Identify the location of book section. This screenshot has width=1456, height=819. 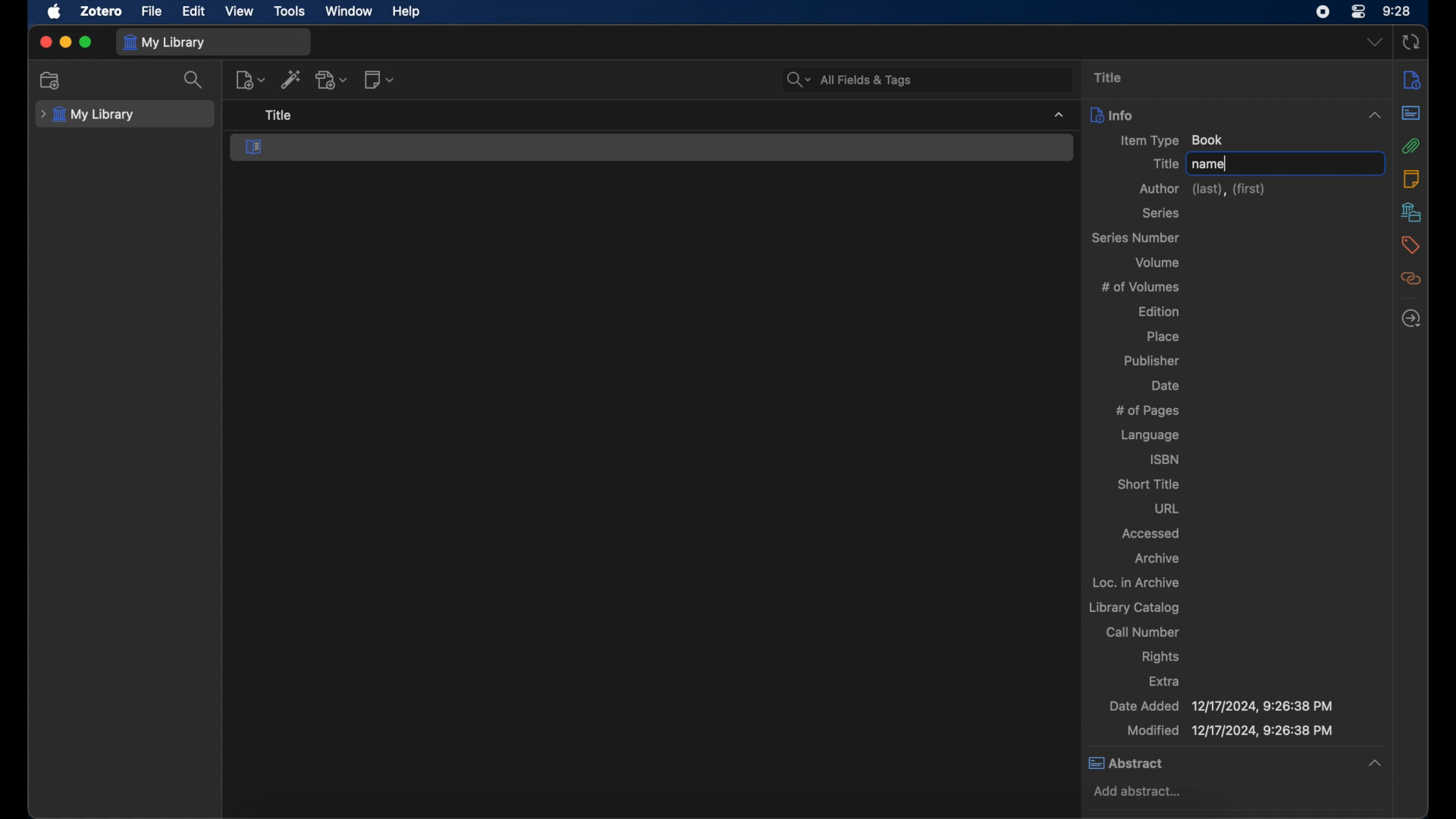
(650, 148).